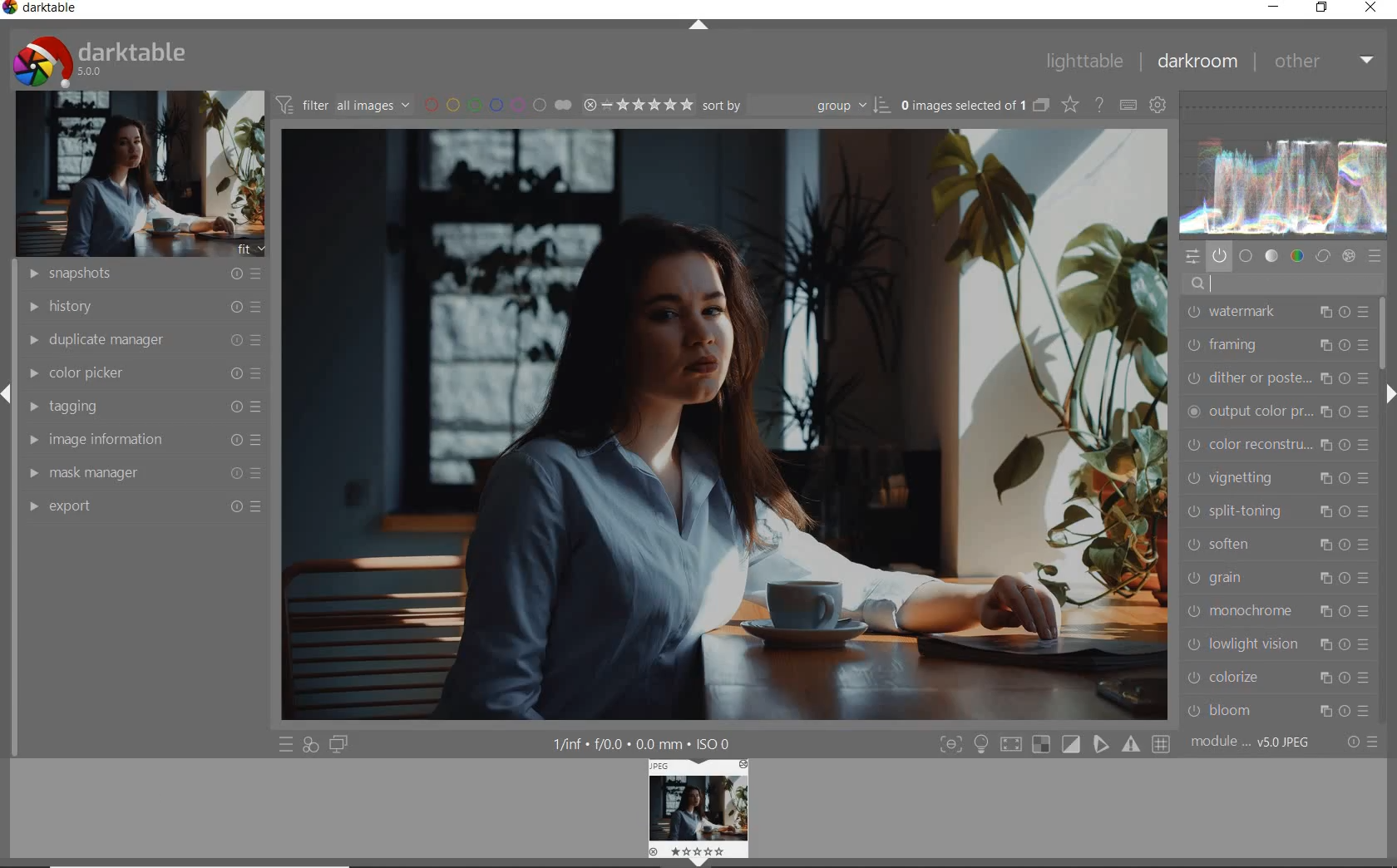  I want to click on display a second darkroom image widow, so click(342, 746).